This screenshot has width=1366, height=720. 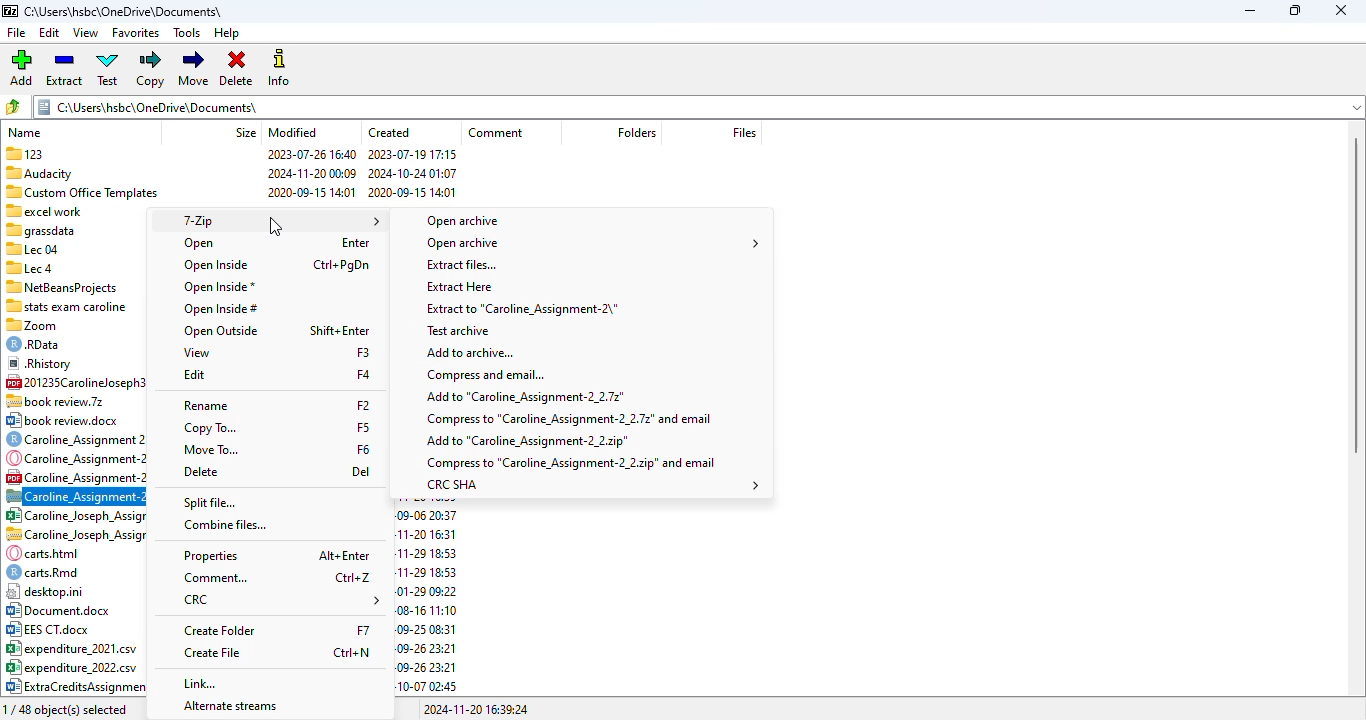 What do you see at coordinates (188, 33) in the screenshot?
I see `tools` at bounding box center [188, 33].